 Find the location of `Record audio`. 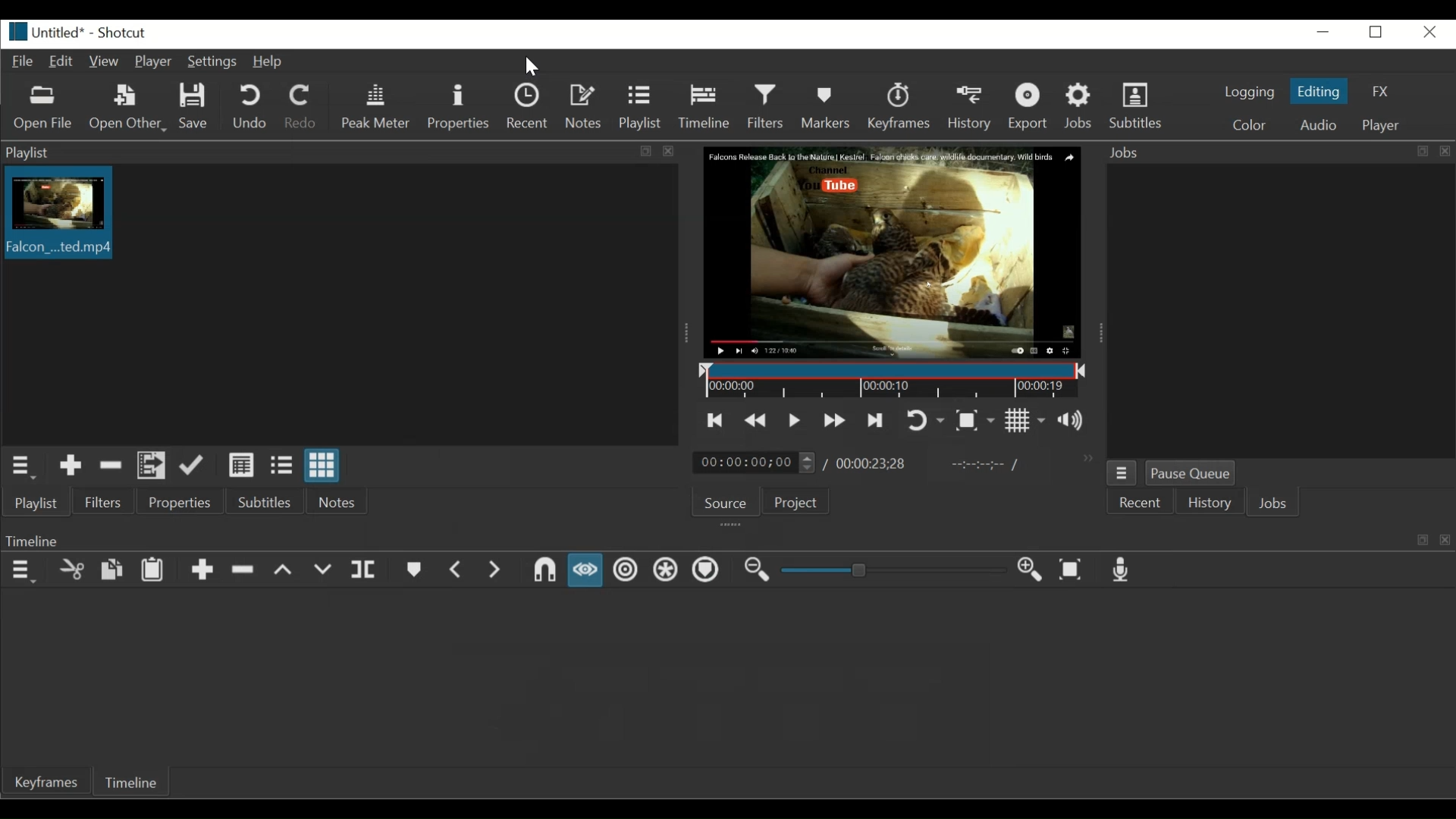

Record audio is located at coordinates (1121, 568).